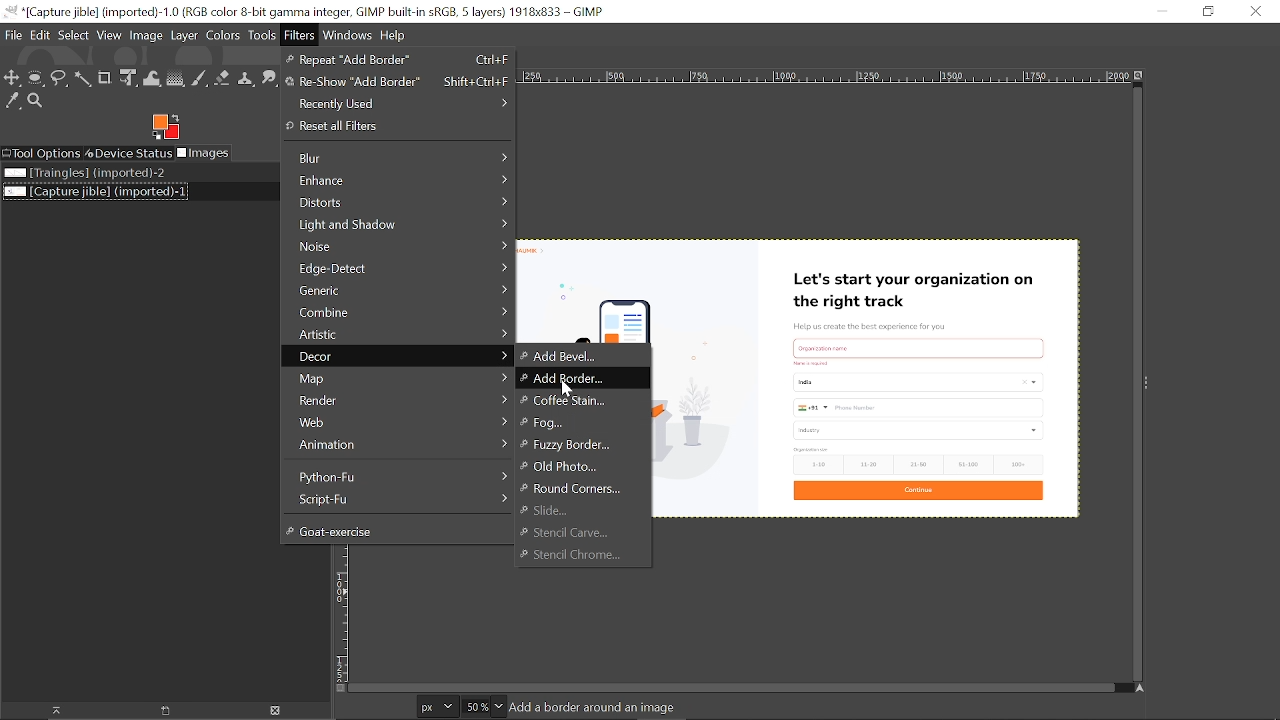  Describe the element at coordinates (475, 708) in the screenshot. I see `Current zoom` at that location.